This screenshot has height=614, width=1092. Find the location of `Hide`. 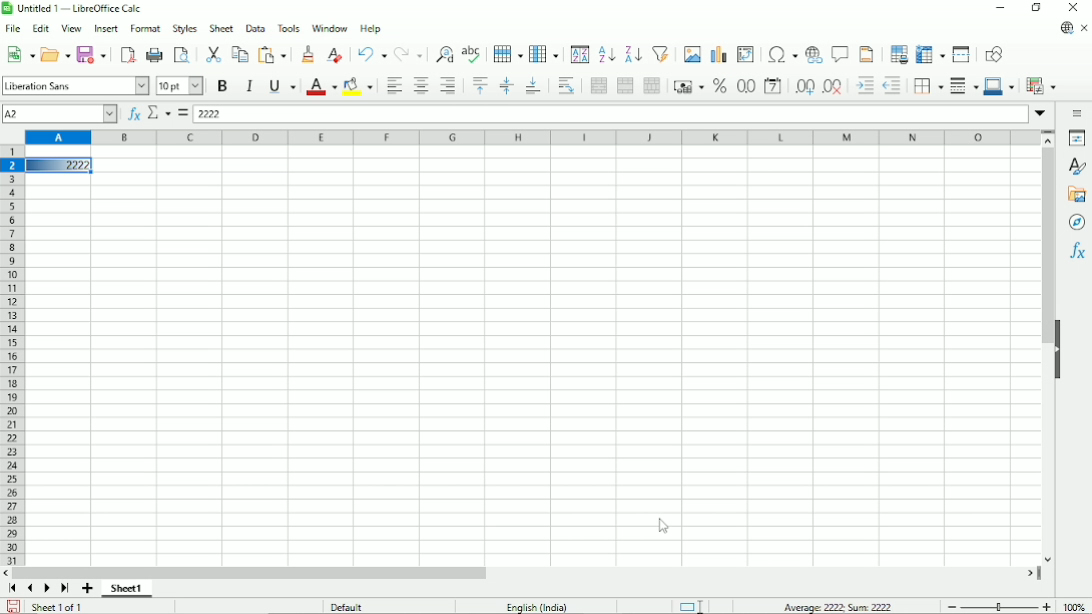

Hide is located at coordinates (1059, 350).